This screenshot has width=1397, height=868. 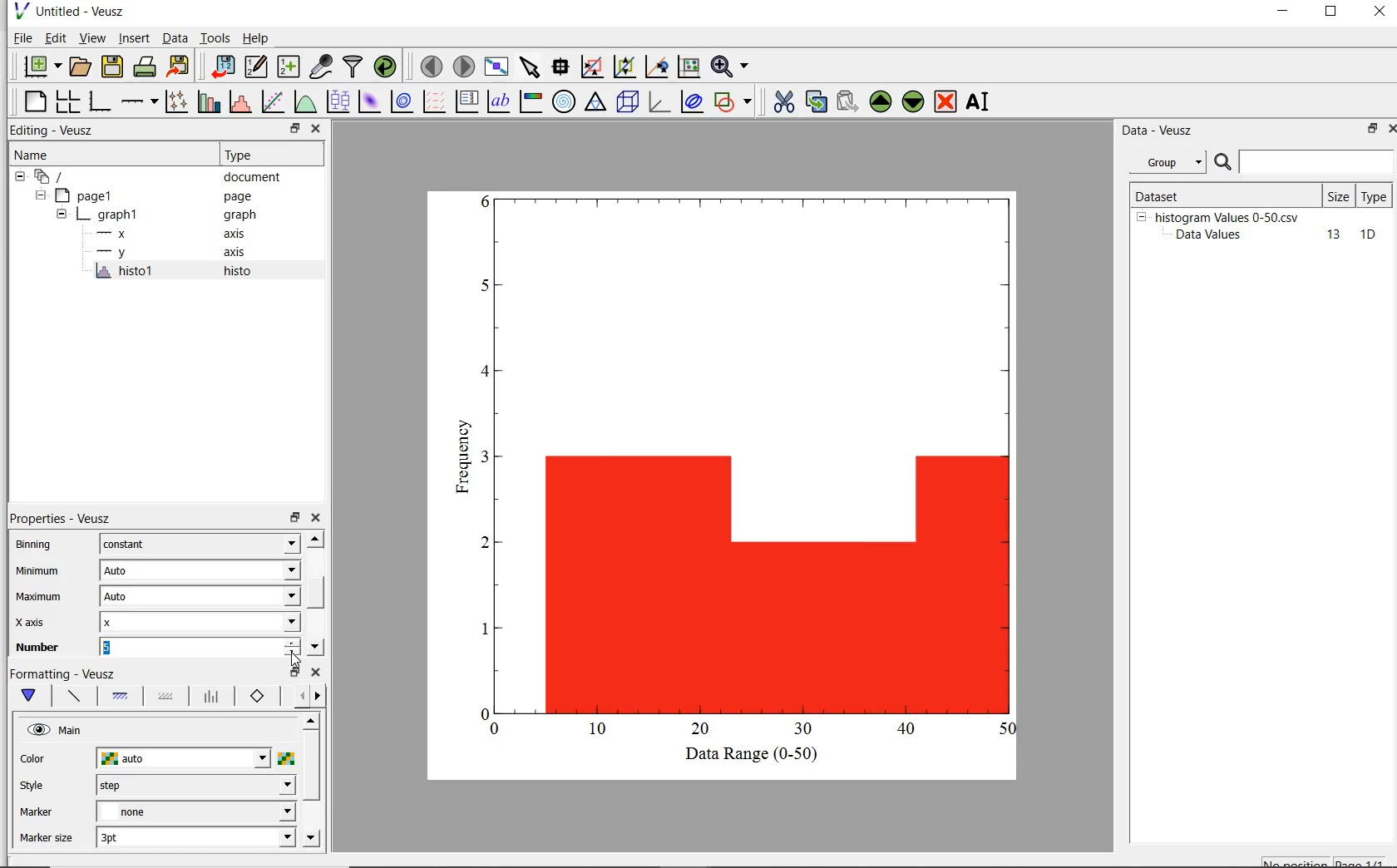 I want to click on click to recenter graph axes, so click(x=688, y=67).